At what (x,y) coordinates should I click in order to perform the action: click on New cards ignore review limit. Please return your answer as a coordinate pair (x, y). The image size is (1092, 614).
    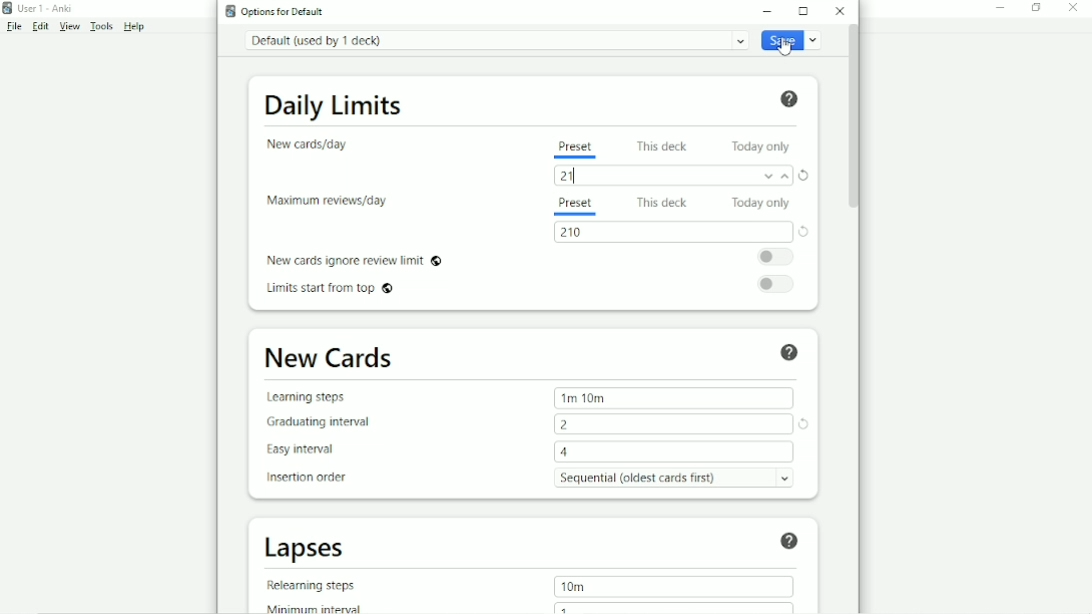
    Looking at the image, I should click on (355, 261).